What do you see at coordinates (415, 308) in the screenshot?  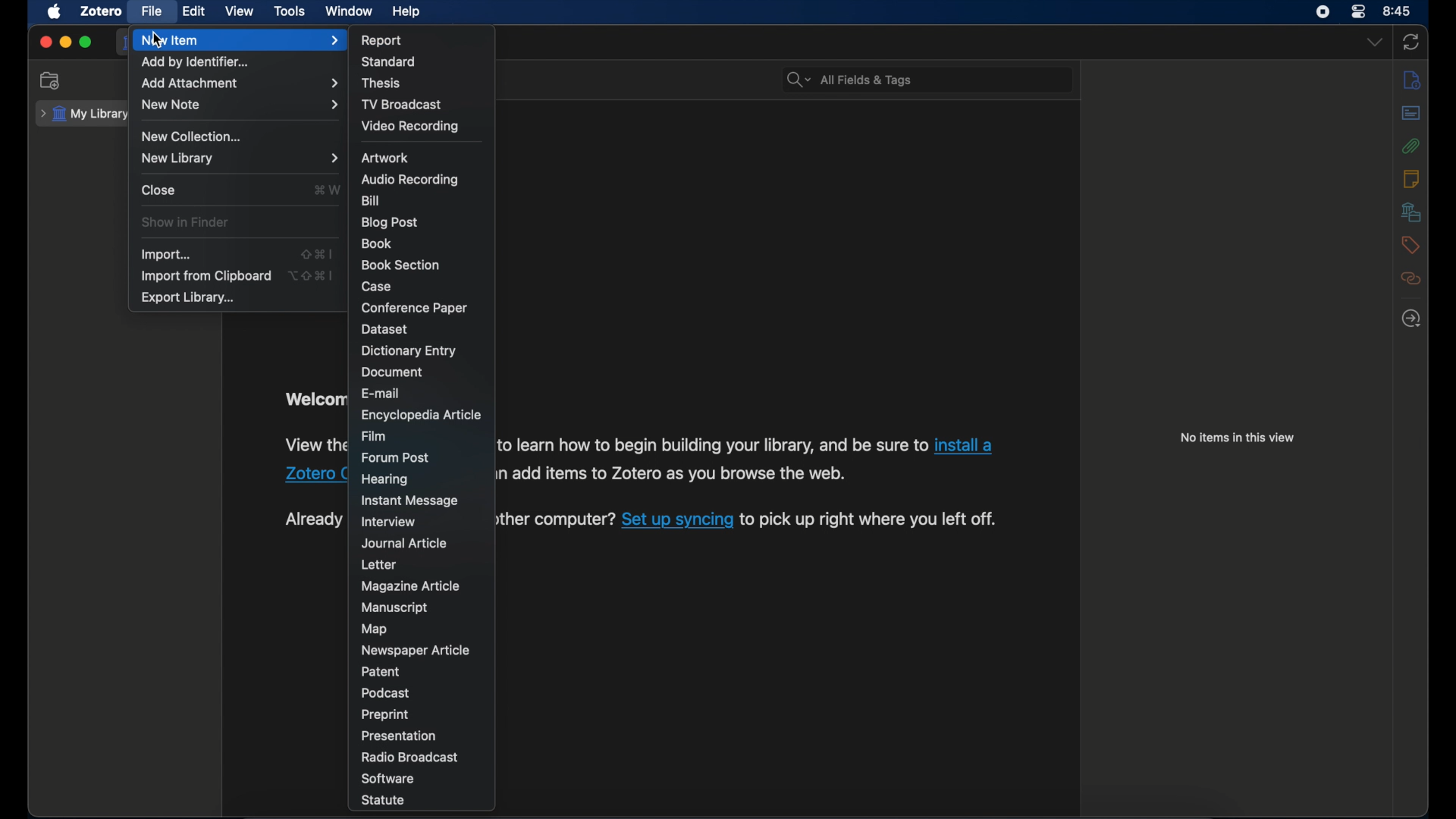 I see `conference paper` at bounding box center [415, 308].